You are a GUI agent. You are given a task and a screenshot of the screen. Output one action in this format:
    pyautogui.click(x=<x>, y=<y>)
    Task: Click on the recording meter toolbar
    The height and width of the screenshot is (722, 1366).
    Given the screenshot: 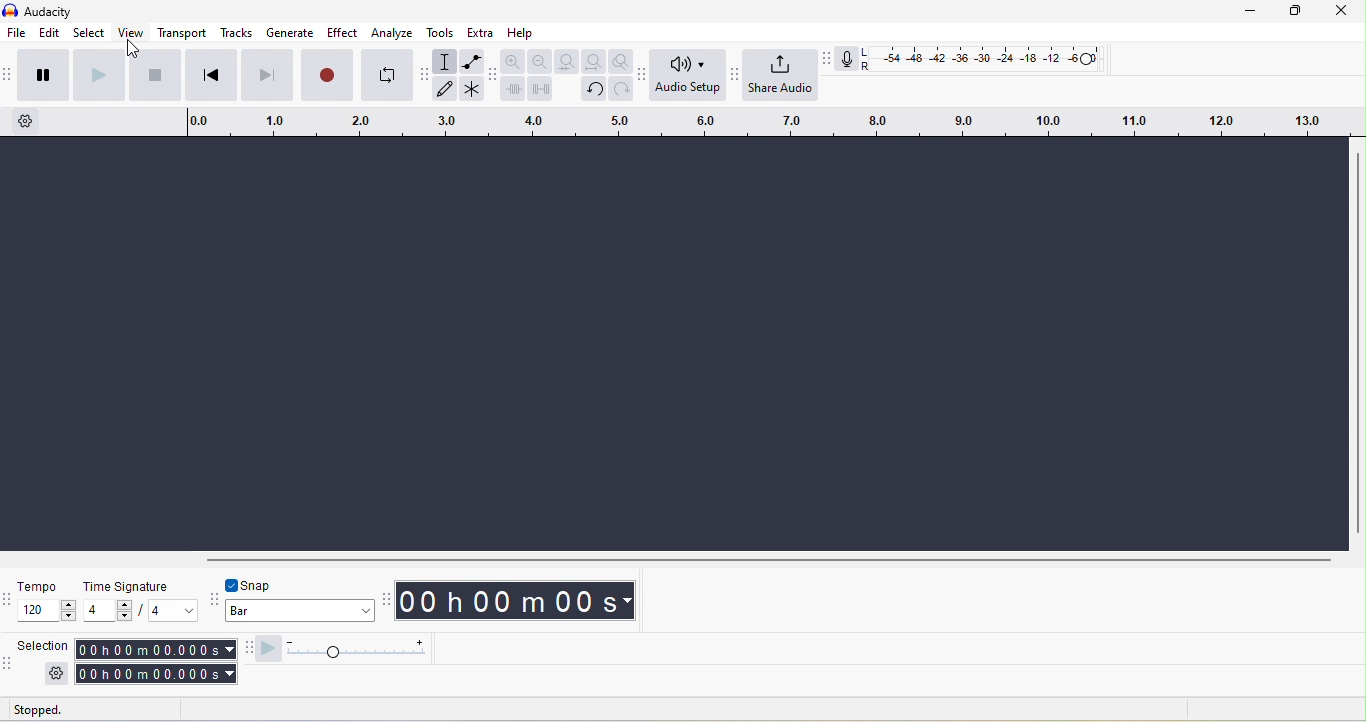 What is the action you would take?
    pyautogui.click(x=826, y=59)
    